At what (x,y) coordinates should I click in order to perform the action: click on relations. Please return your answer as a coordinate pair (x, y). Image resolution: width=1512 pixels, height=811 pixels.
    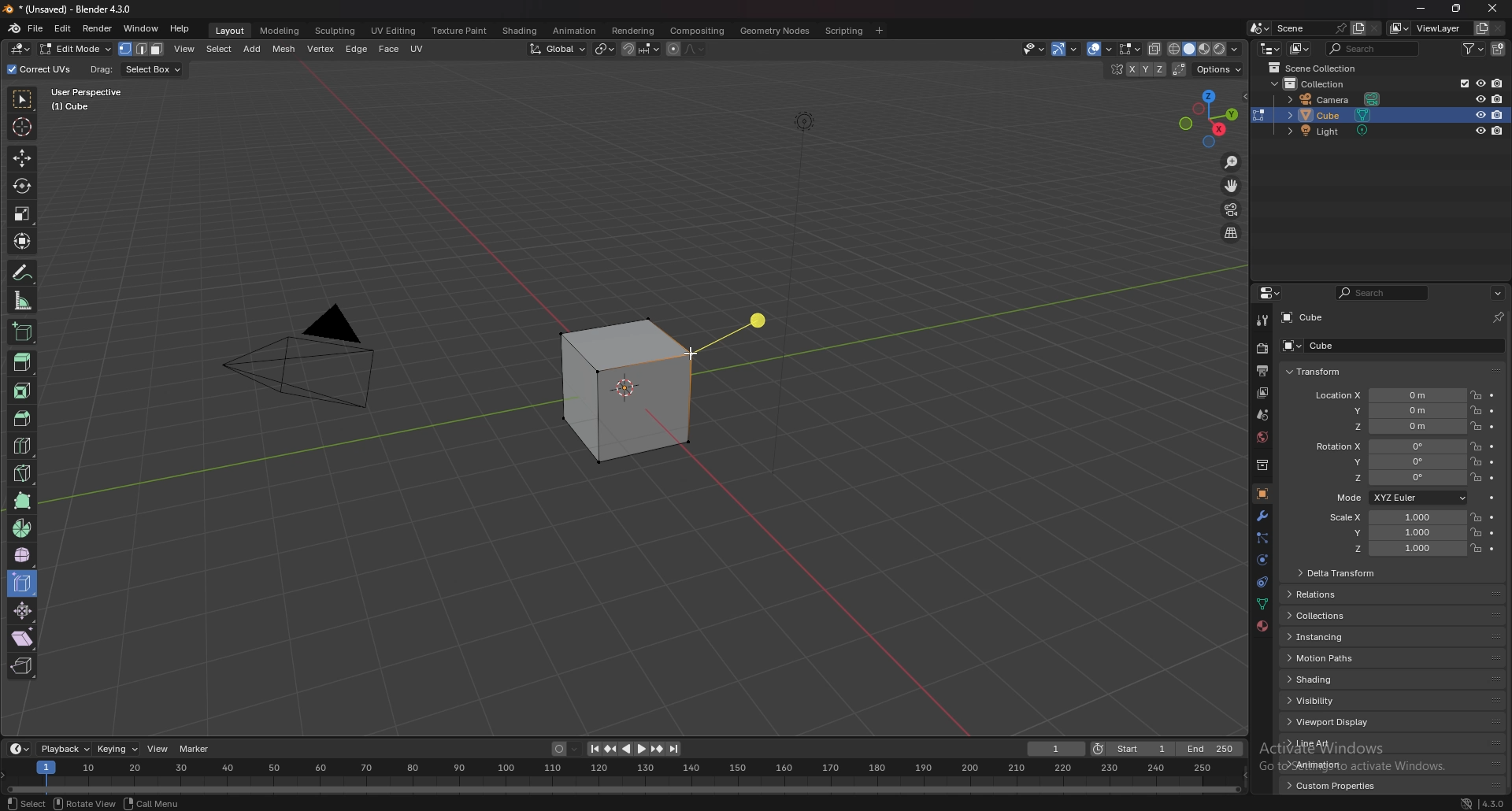
    Looking at the image, I should click on (1325, 595).